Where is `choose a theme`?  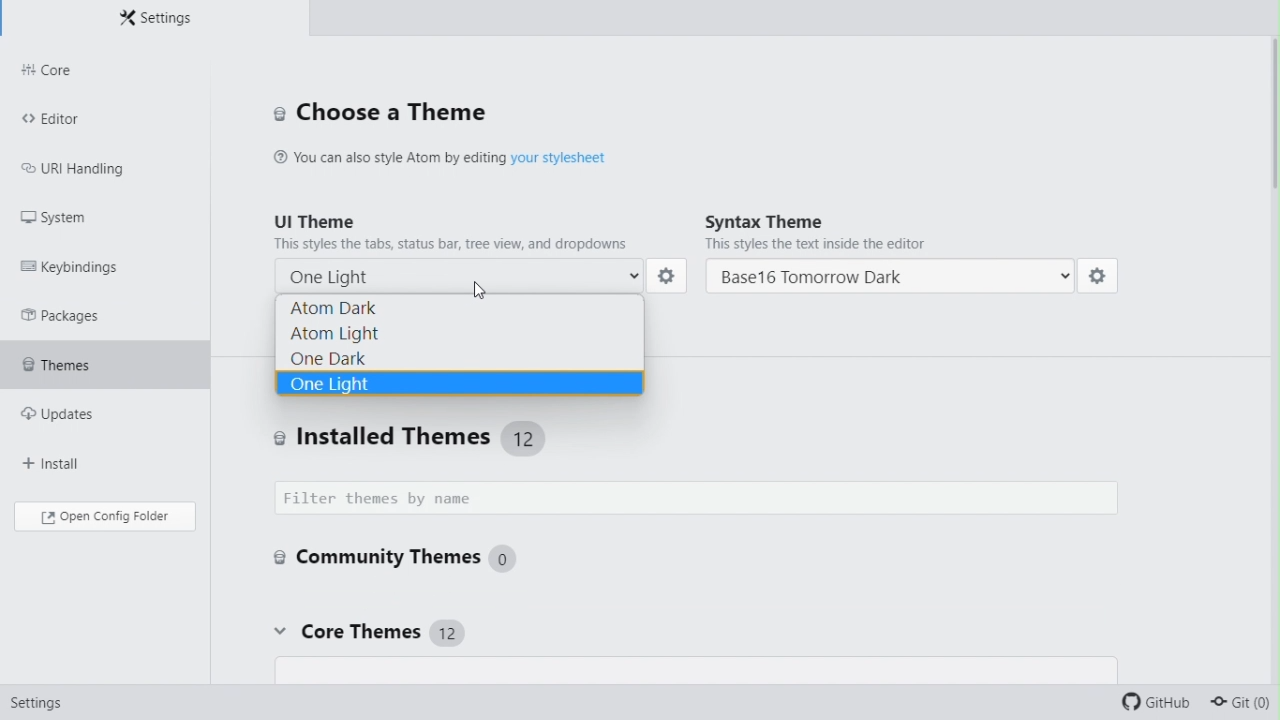
choose a theme is located at coordinates (380, 111).